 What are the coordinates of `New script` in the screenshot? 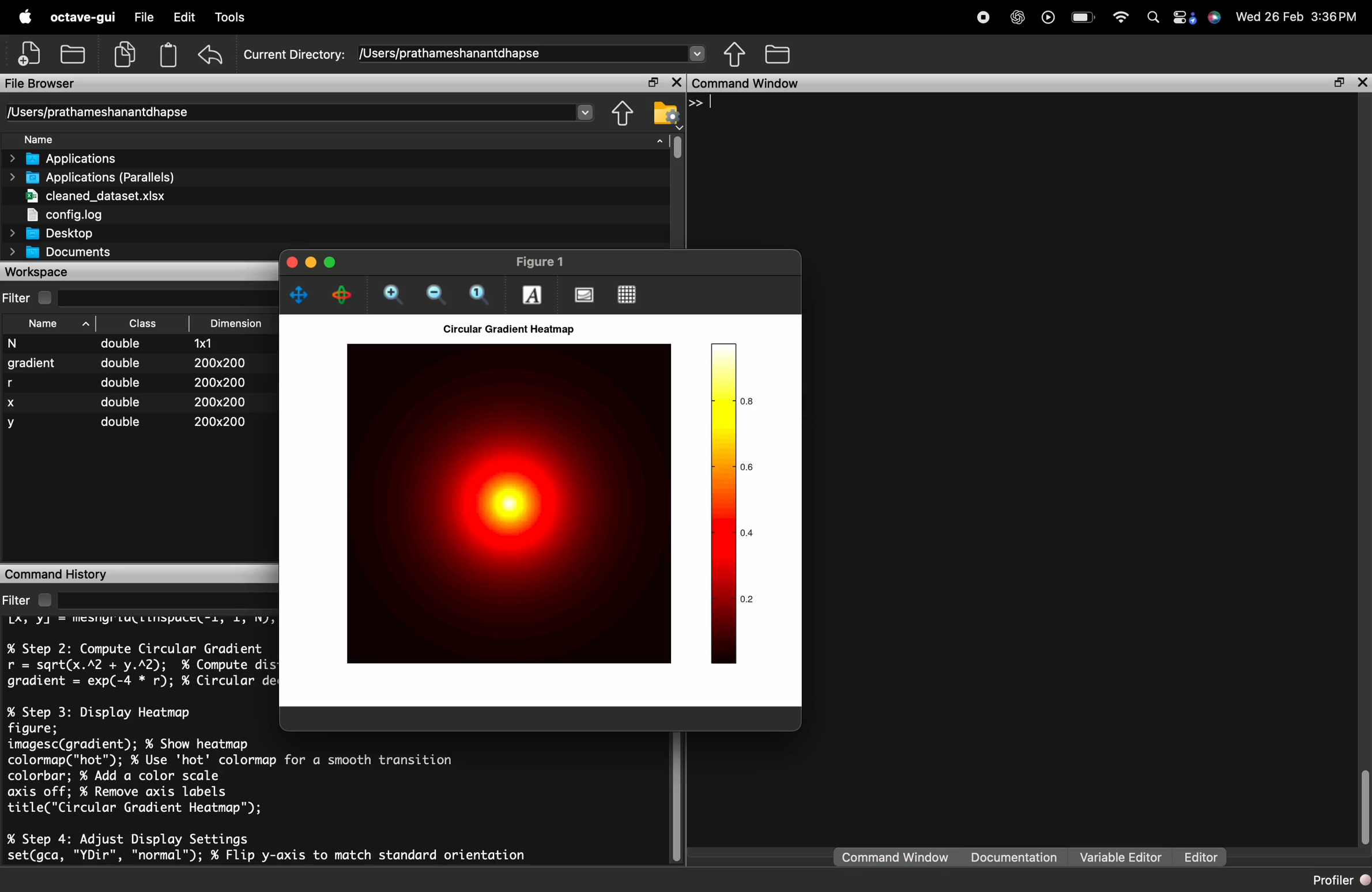 It's located at (28, 52).